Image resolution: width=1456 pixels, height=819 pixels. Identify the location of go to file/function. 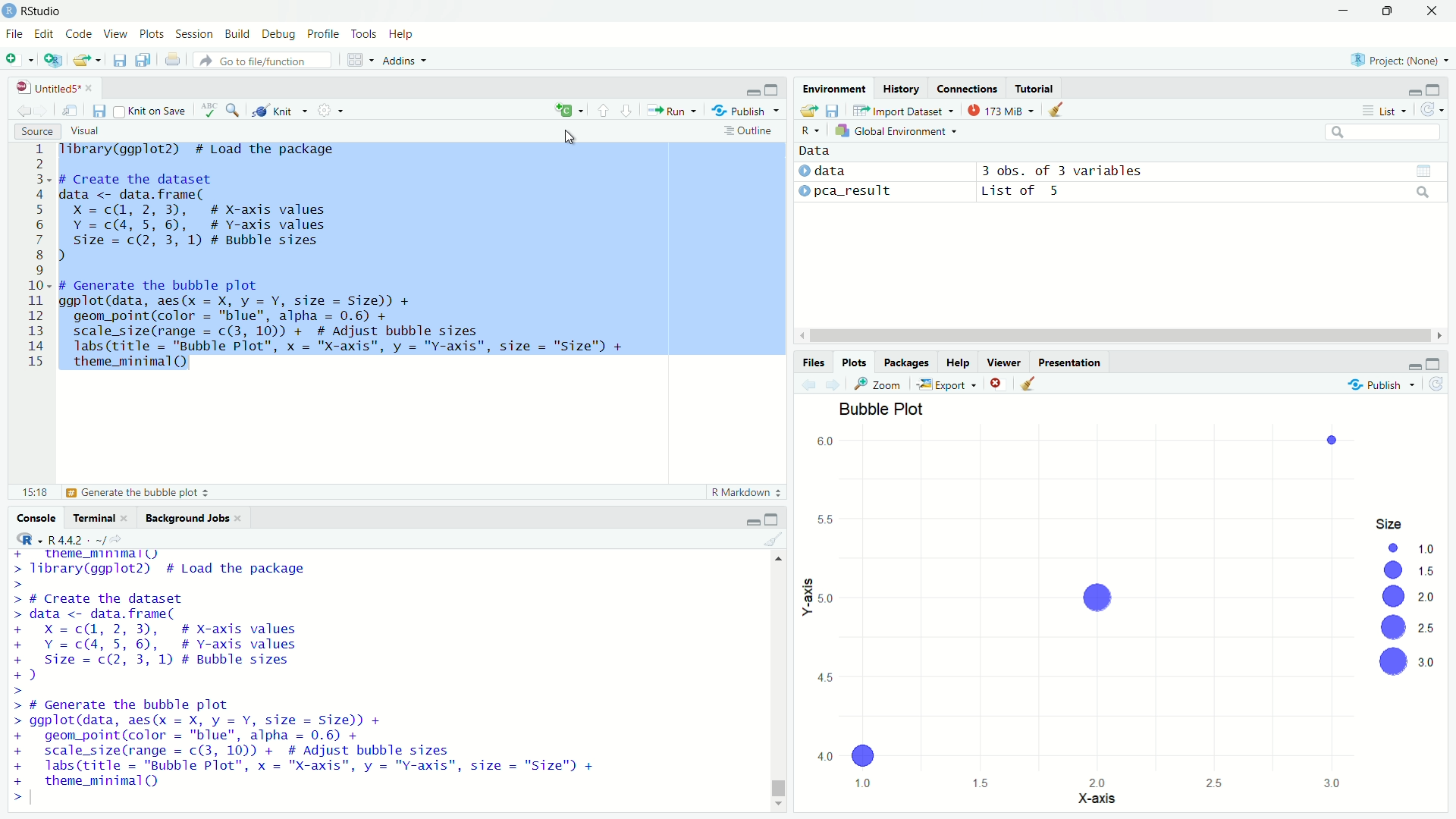
(264, 60).